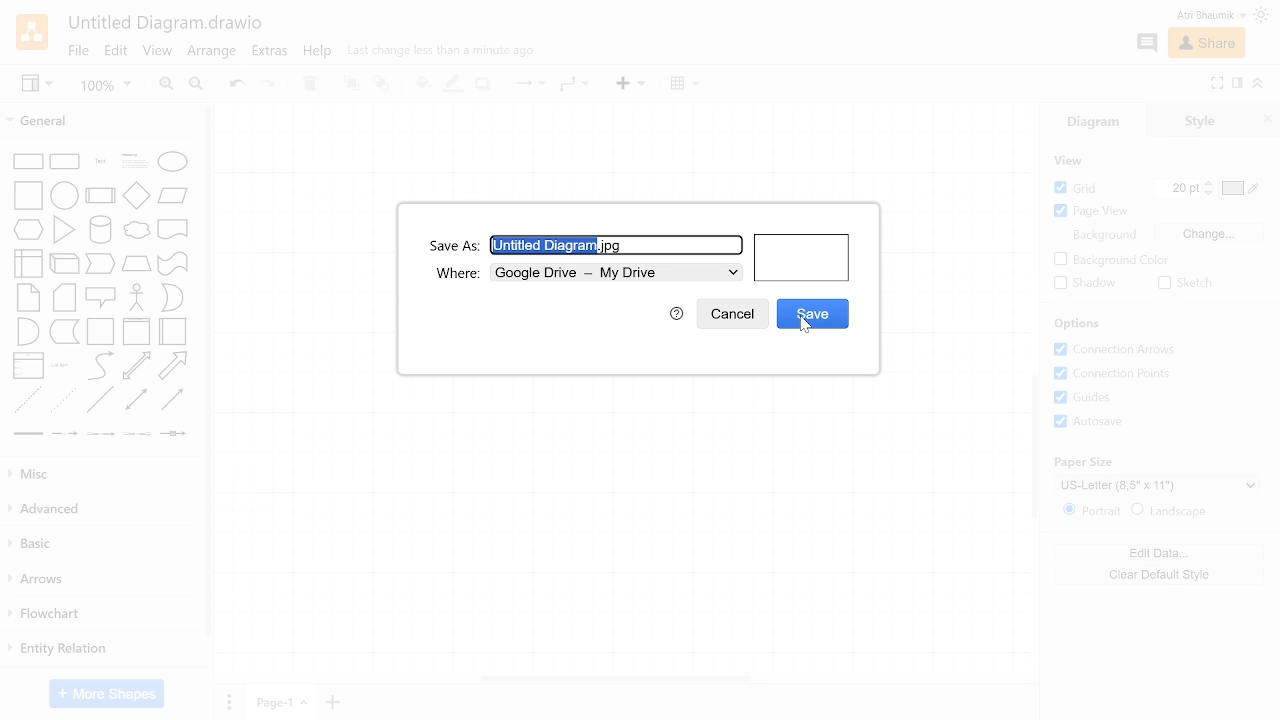  I want to click on Table, so click(686, 85).